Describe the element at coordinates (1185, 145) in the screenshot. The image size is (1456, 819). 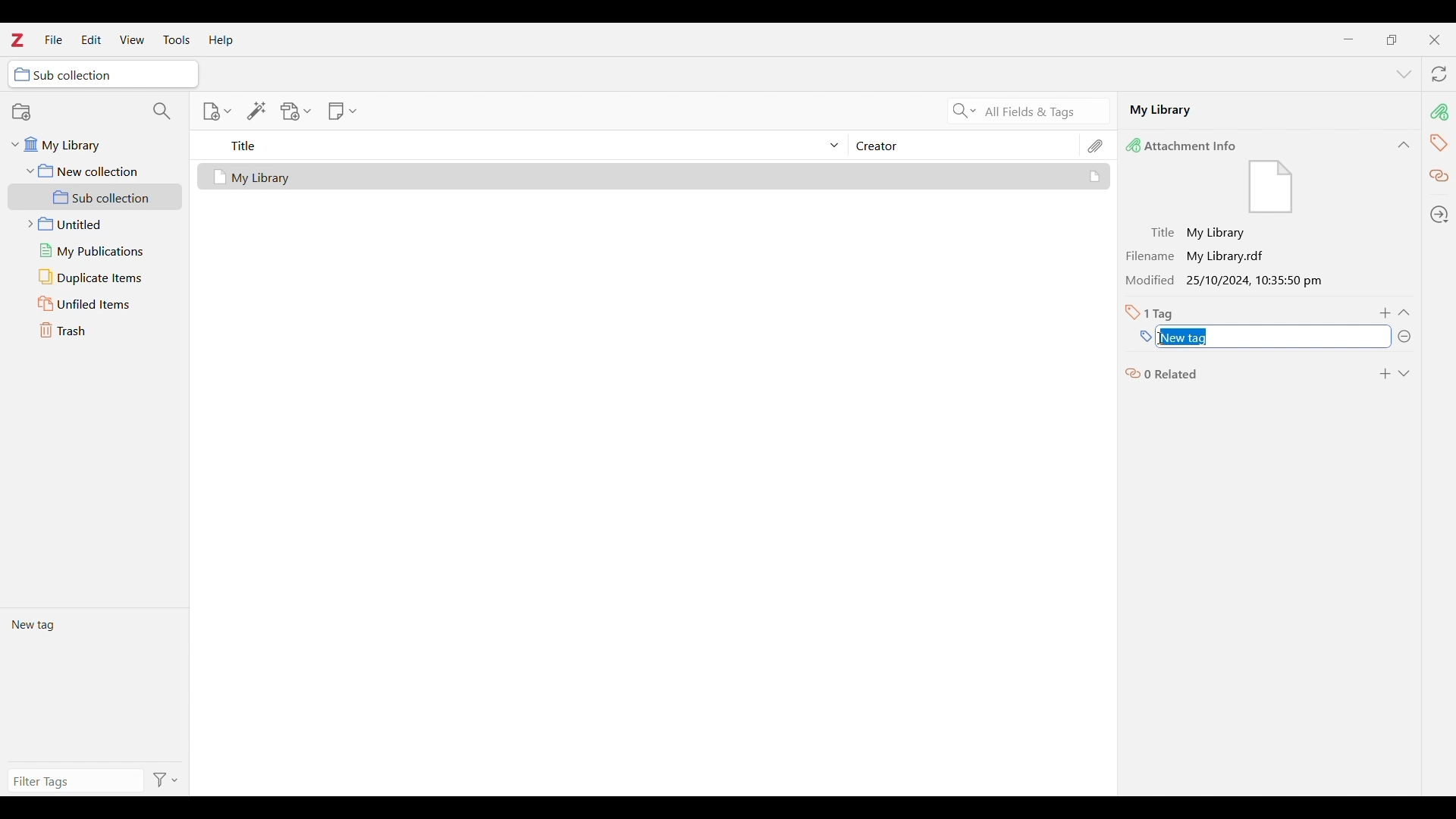
I see `Attachment Info` at that location.